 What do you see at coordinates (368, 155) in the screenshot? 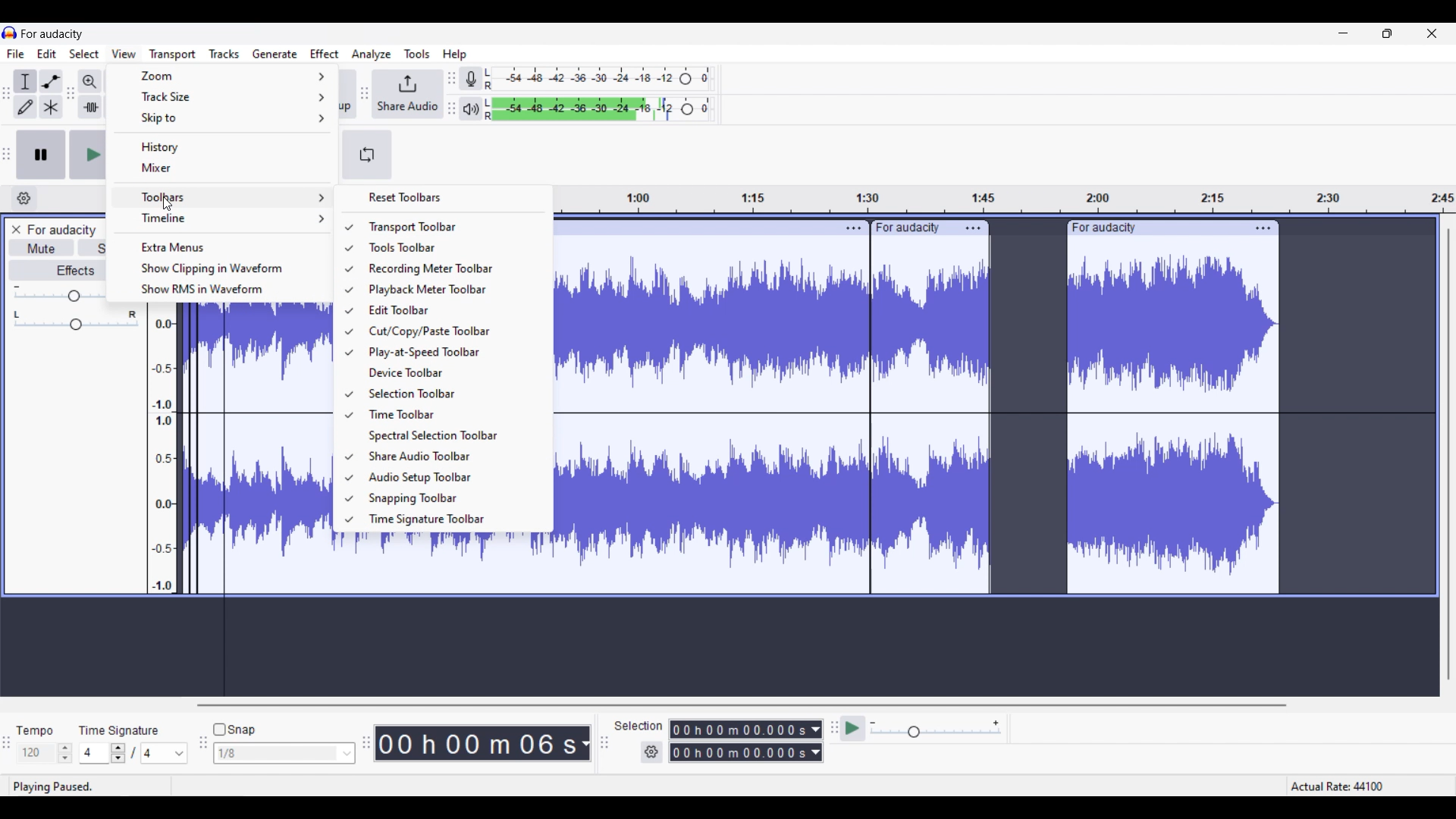
I see `Enable looping` at bounding box center [368, 155].